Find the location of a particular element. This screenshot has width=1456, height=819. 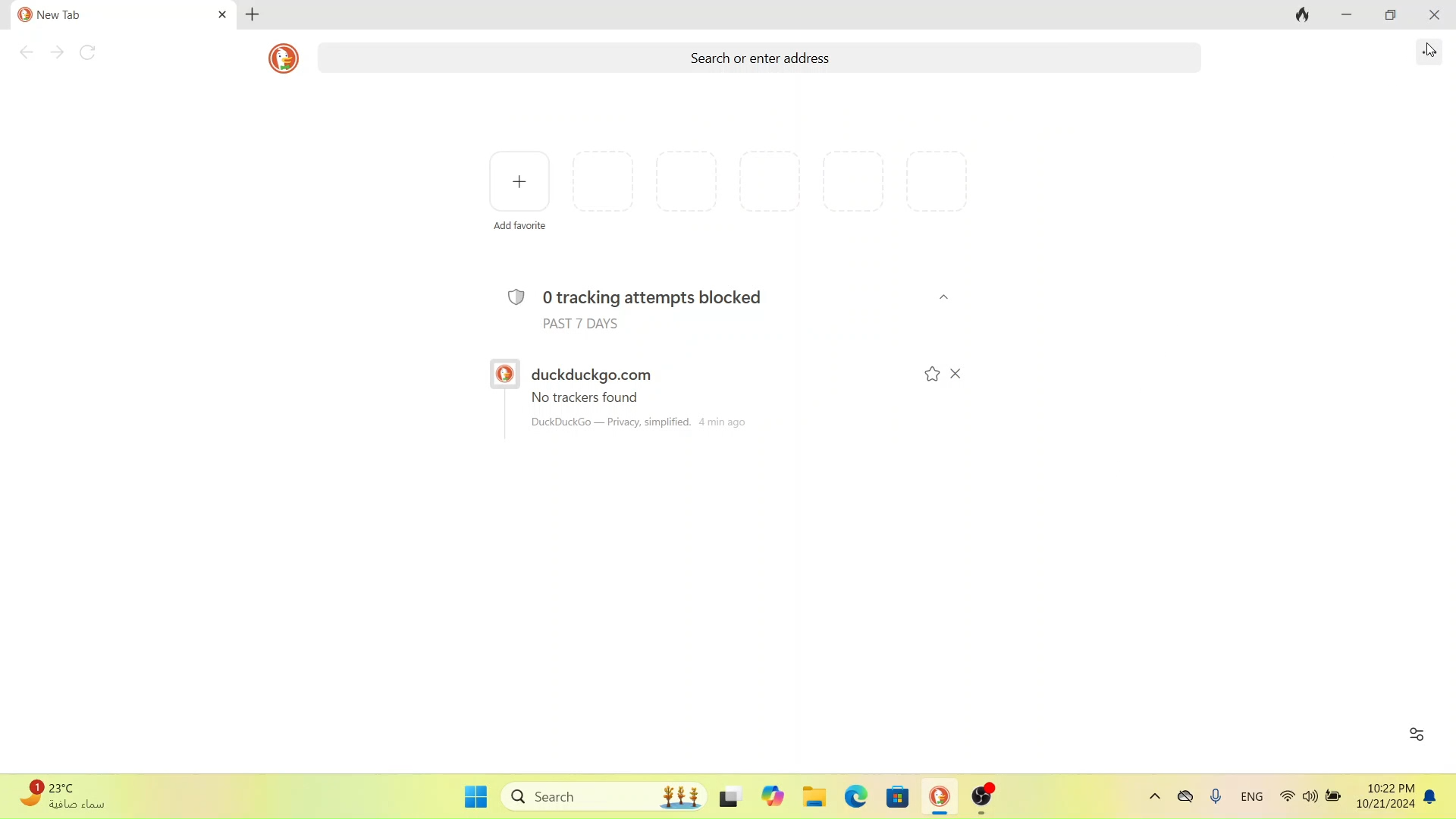

customize duckduckgo is located at coordinates (1416, 733).